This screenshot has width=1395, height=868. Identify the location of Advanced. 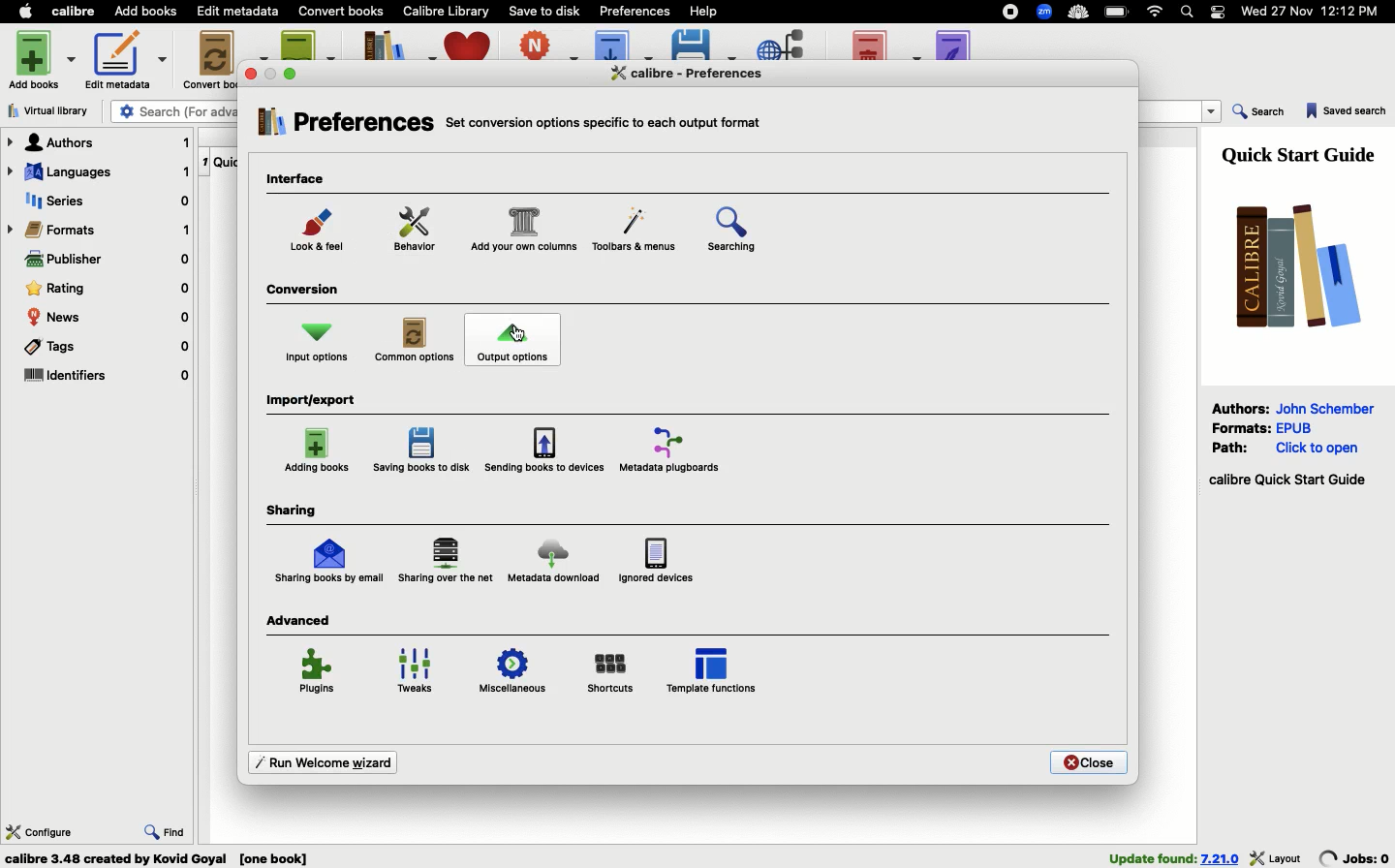
(301, 620).